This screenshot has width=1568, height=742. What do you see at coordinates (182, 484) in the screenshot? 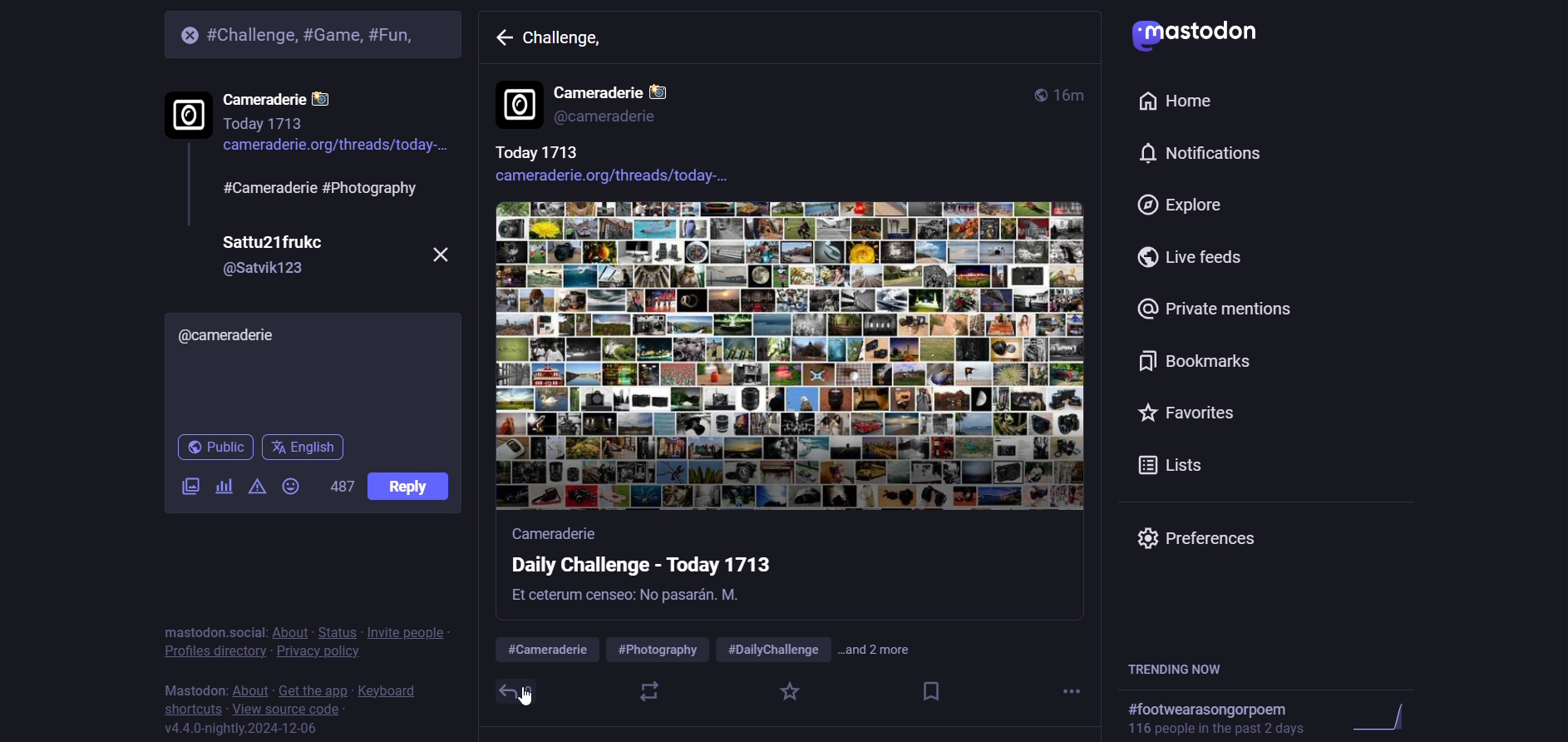
I see `image/video` at bounding box center [182, 484].